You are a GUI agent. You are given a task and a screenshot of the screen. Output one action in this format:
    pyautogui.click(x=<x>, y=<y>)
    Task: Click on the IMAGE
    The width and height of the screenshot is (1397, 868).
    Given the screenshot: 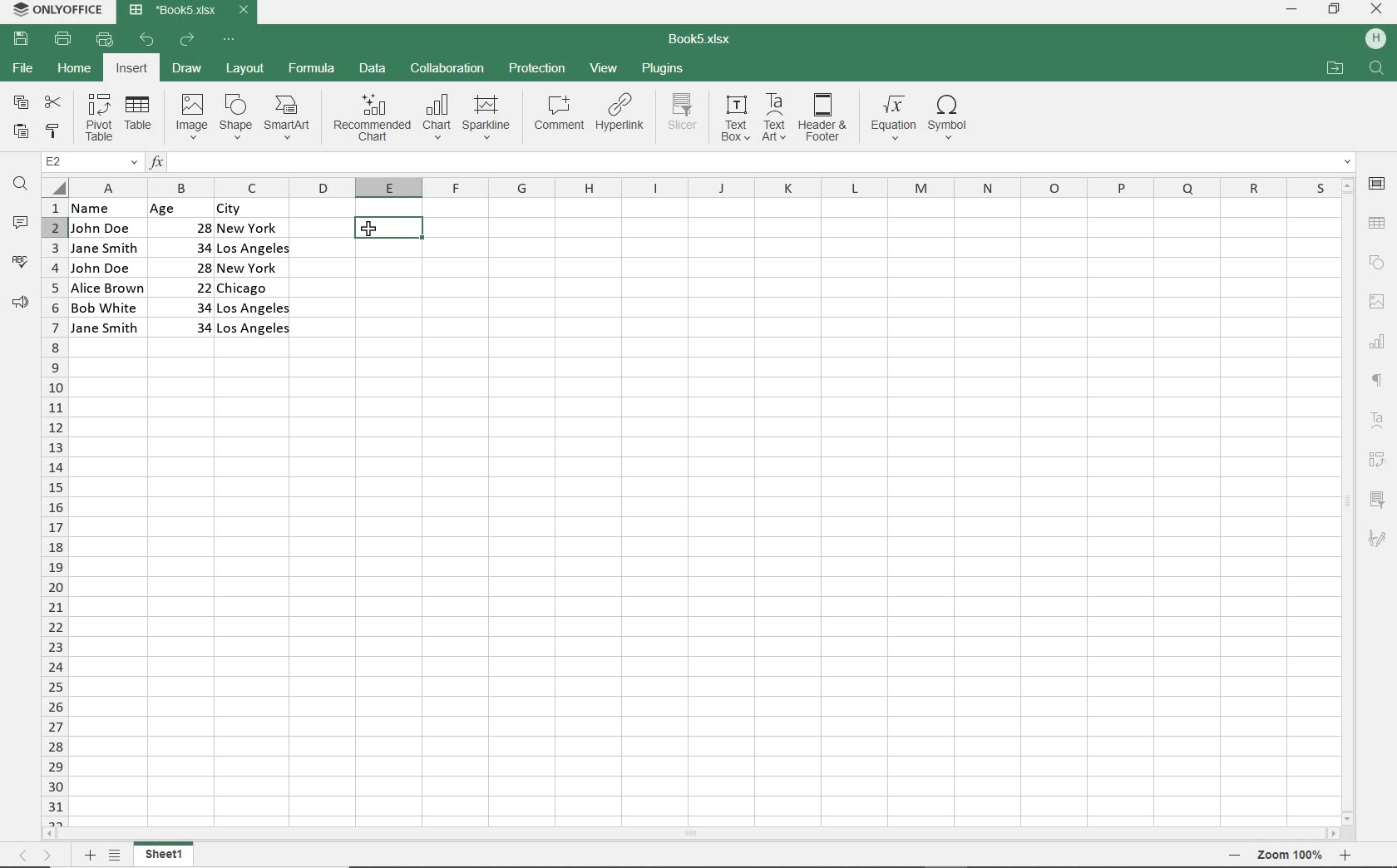 What is the action you would take?
    pyautogui.click(x=189, y=116)
    